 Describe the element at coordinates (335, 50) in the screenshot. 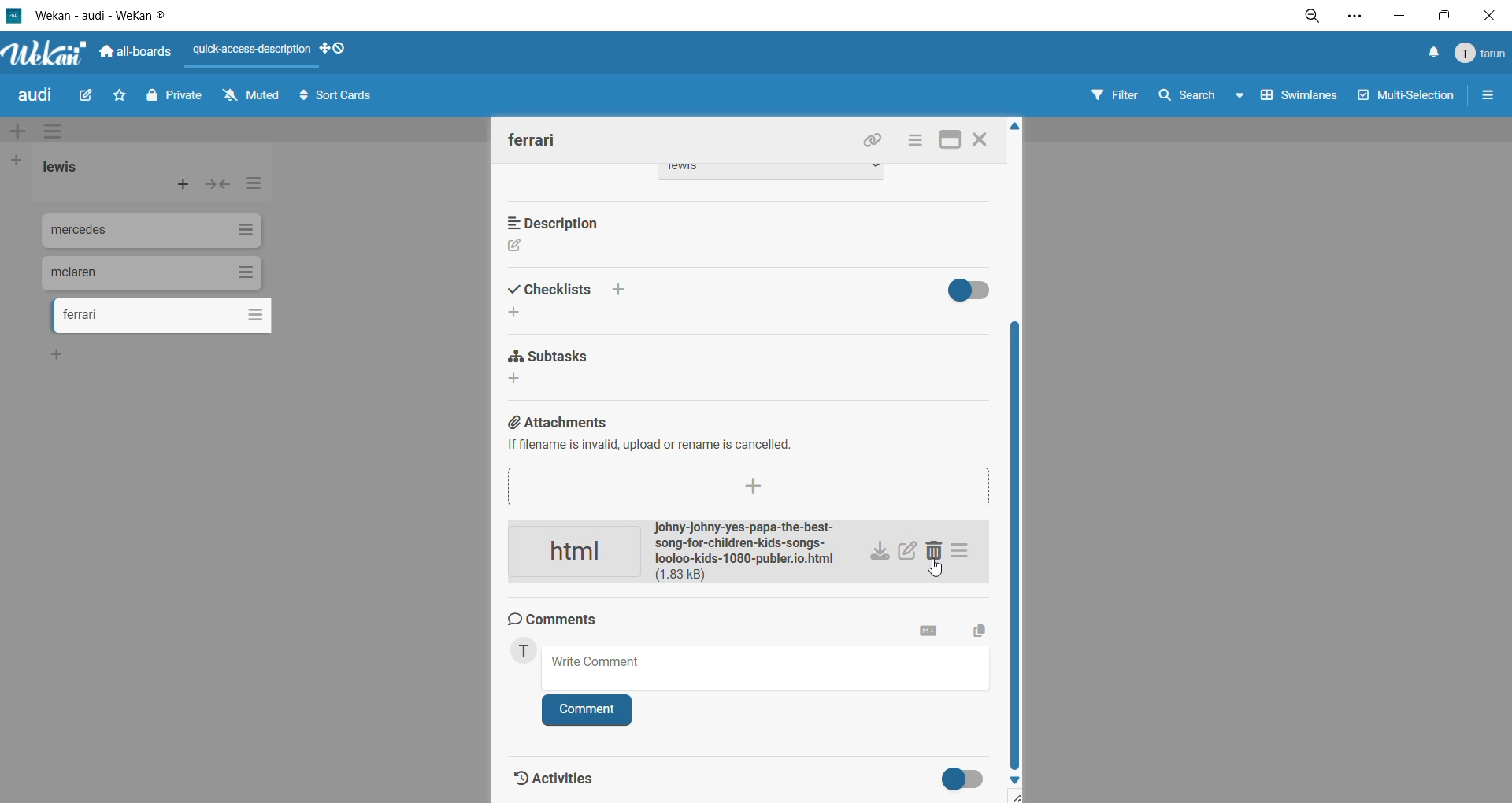

I see `show desktop drag handles` at that location.